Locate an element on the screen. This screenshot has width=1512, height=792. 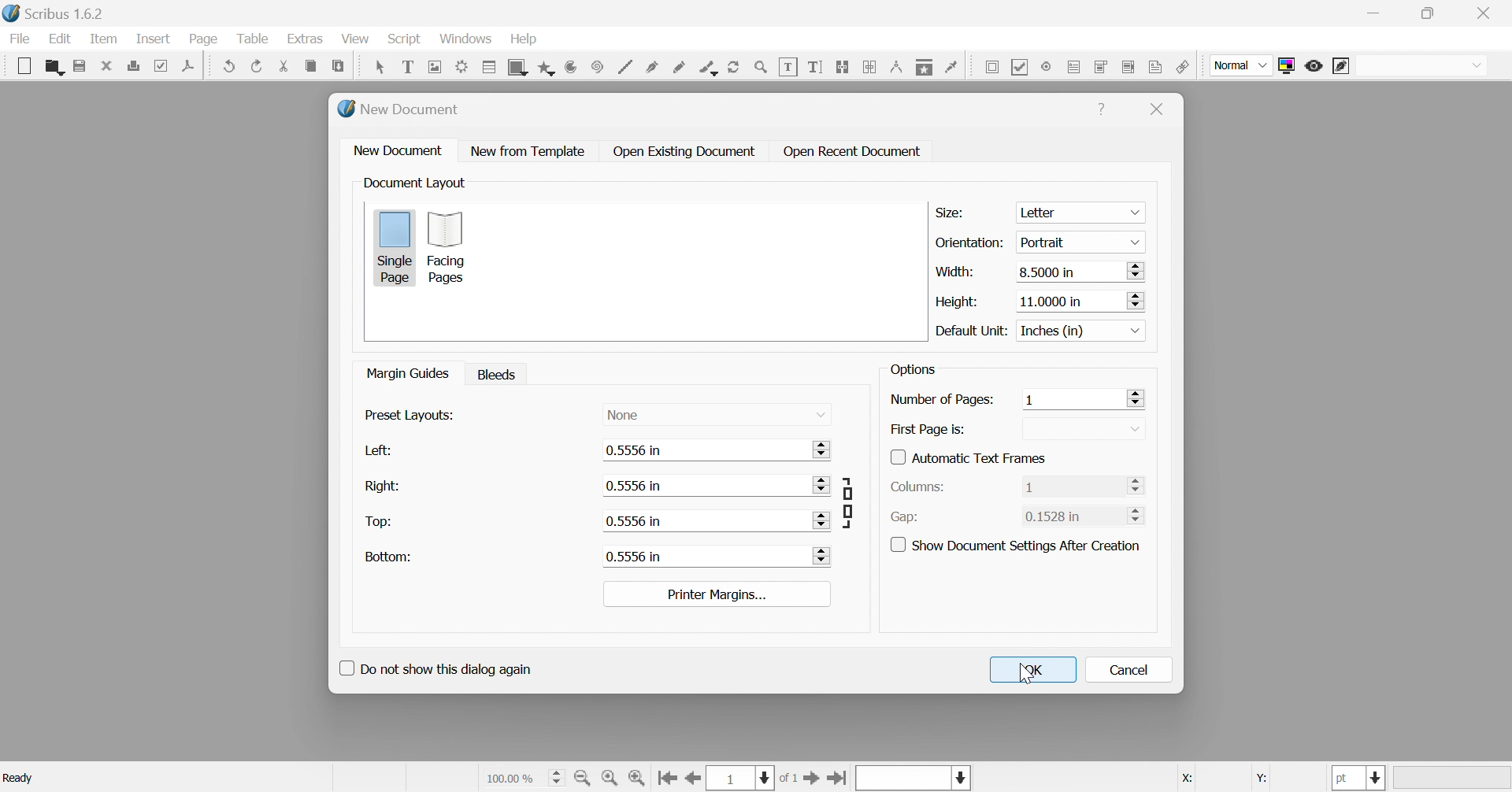
toggle color management system is located at coordinates (1290, 65).